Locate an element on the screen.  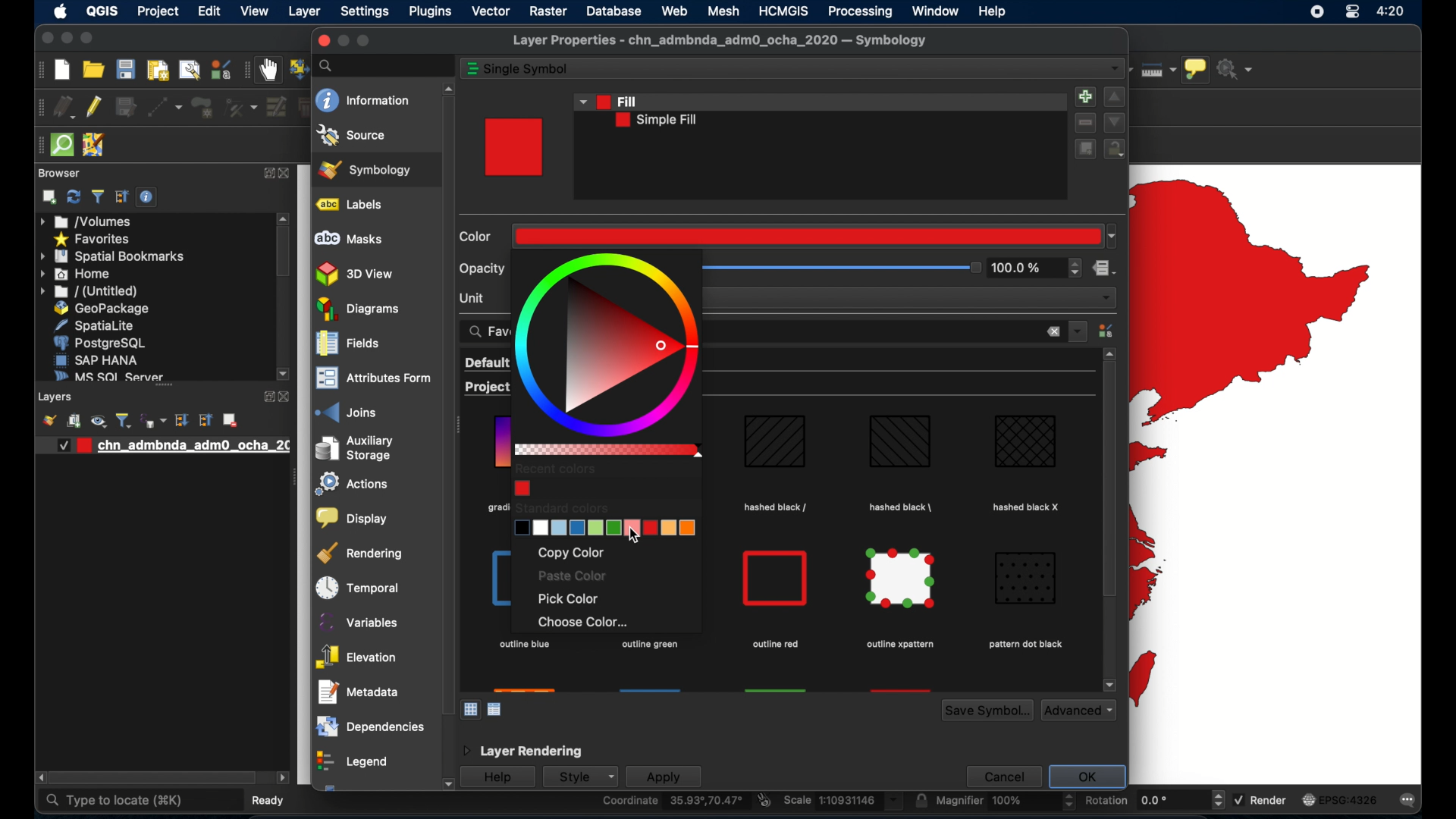
browser is located at coordinates (59, 173).